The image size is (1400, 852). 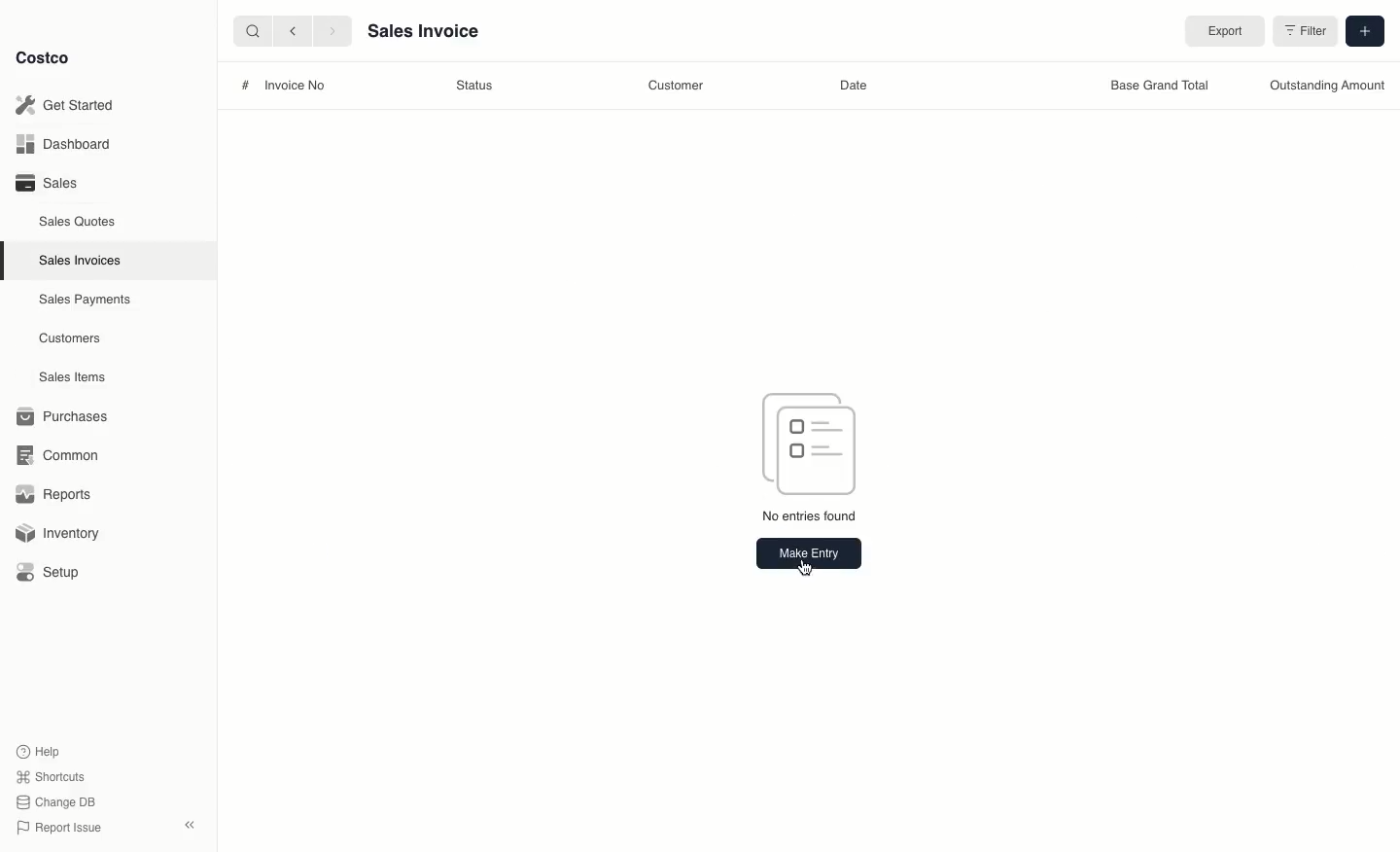 I want to click on Report Issue, so click(x=55, y=828).